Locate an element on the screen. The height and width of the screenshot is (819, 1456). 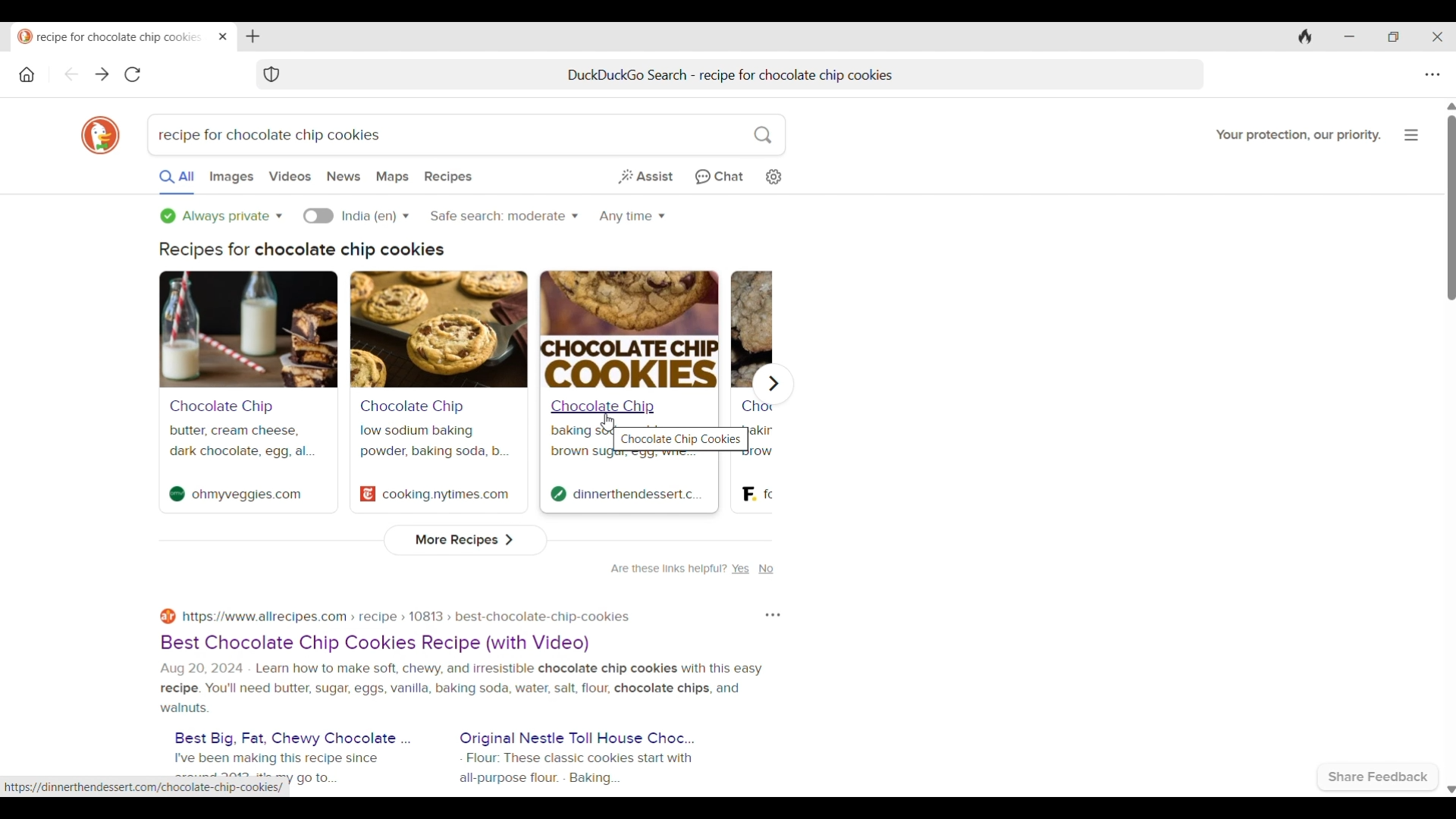
baking is located at coordinates (572, 431).